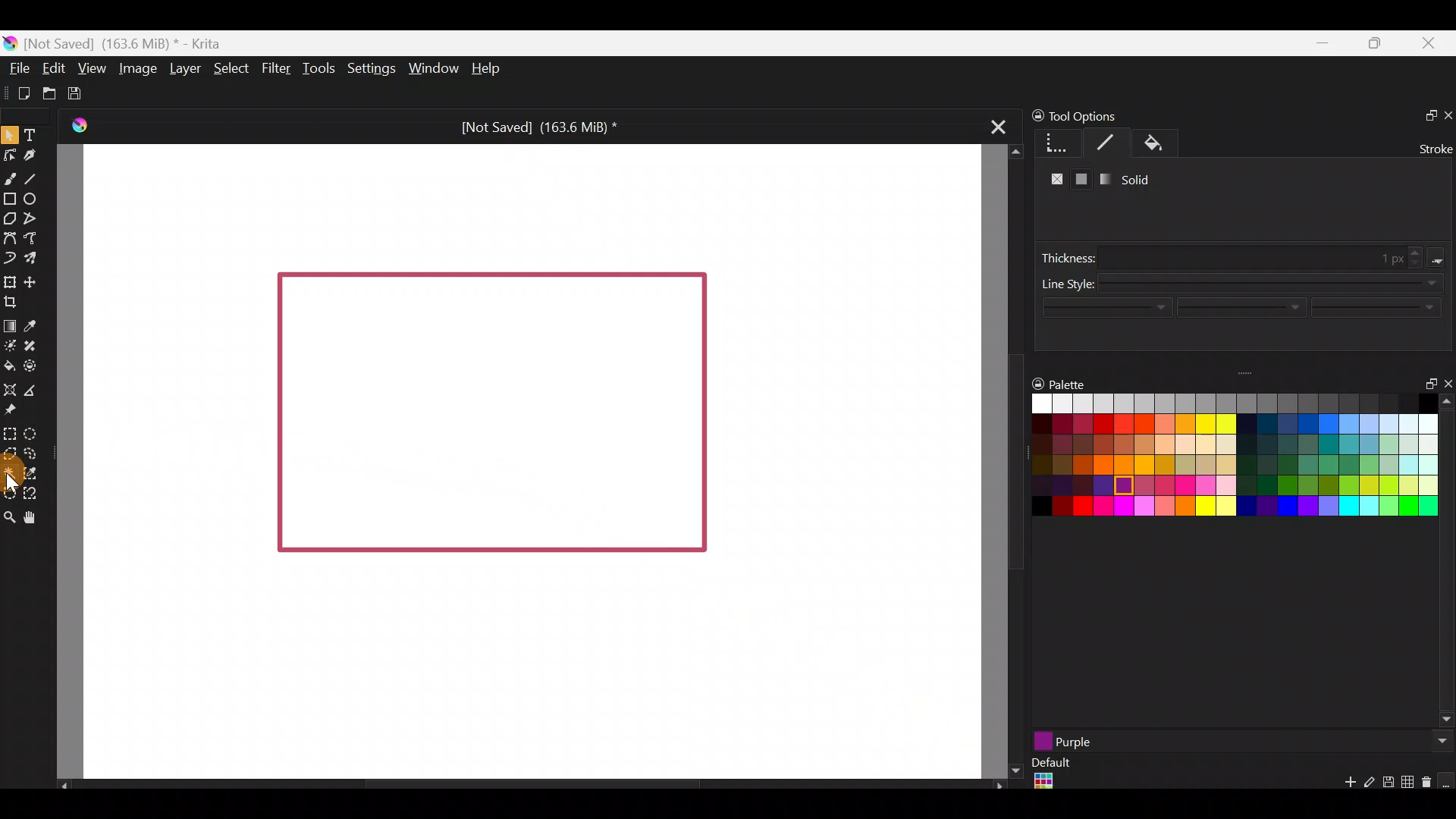 The image size is (1456, 819). I want to click on Line tool, so click(36, 174).